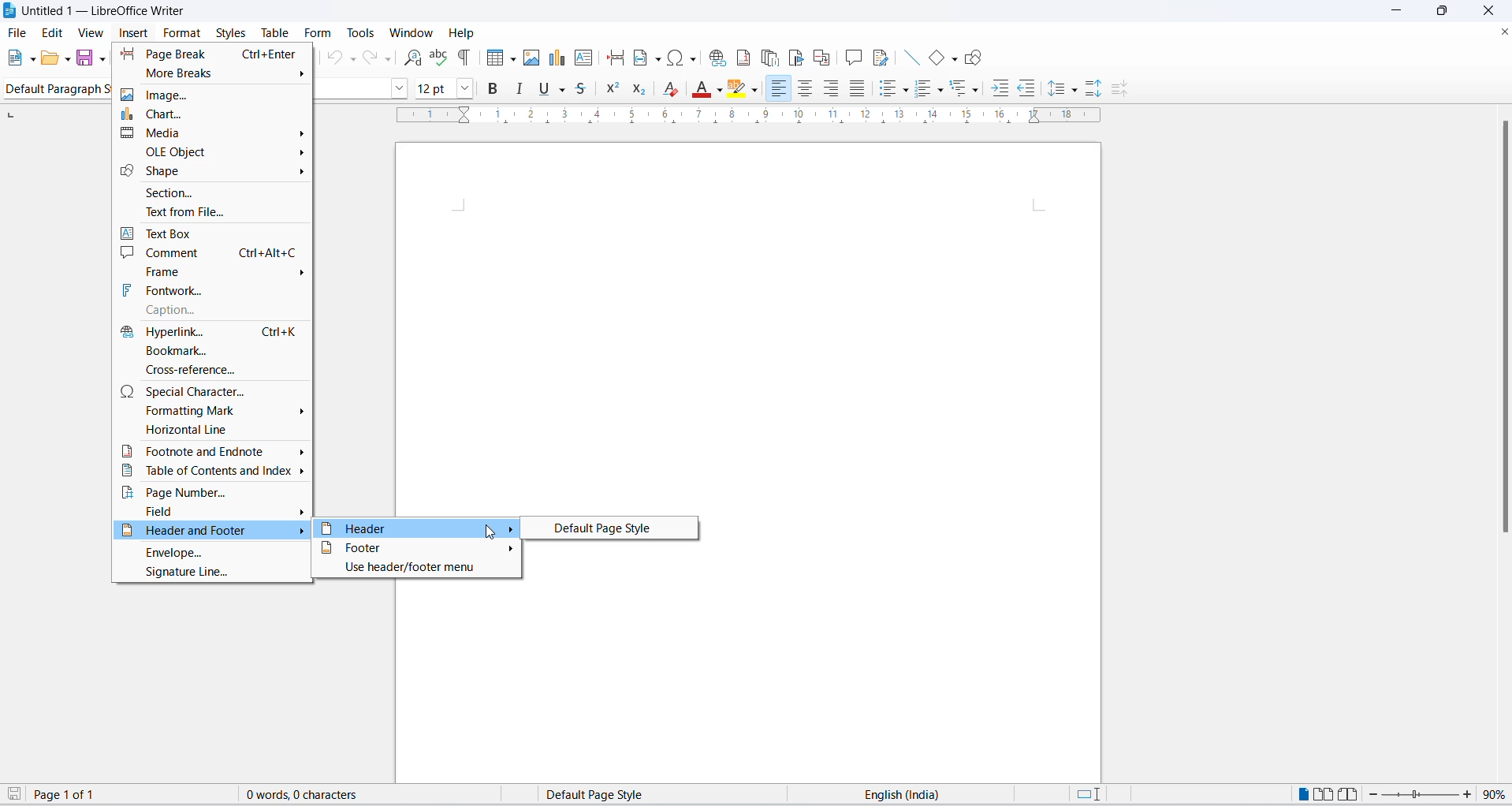 The width and height of the screenshot is (1512, 806). I want to click on help, so click(459, 32).